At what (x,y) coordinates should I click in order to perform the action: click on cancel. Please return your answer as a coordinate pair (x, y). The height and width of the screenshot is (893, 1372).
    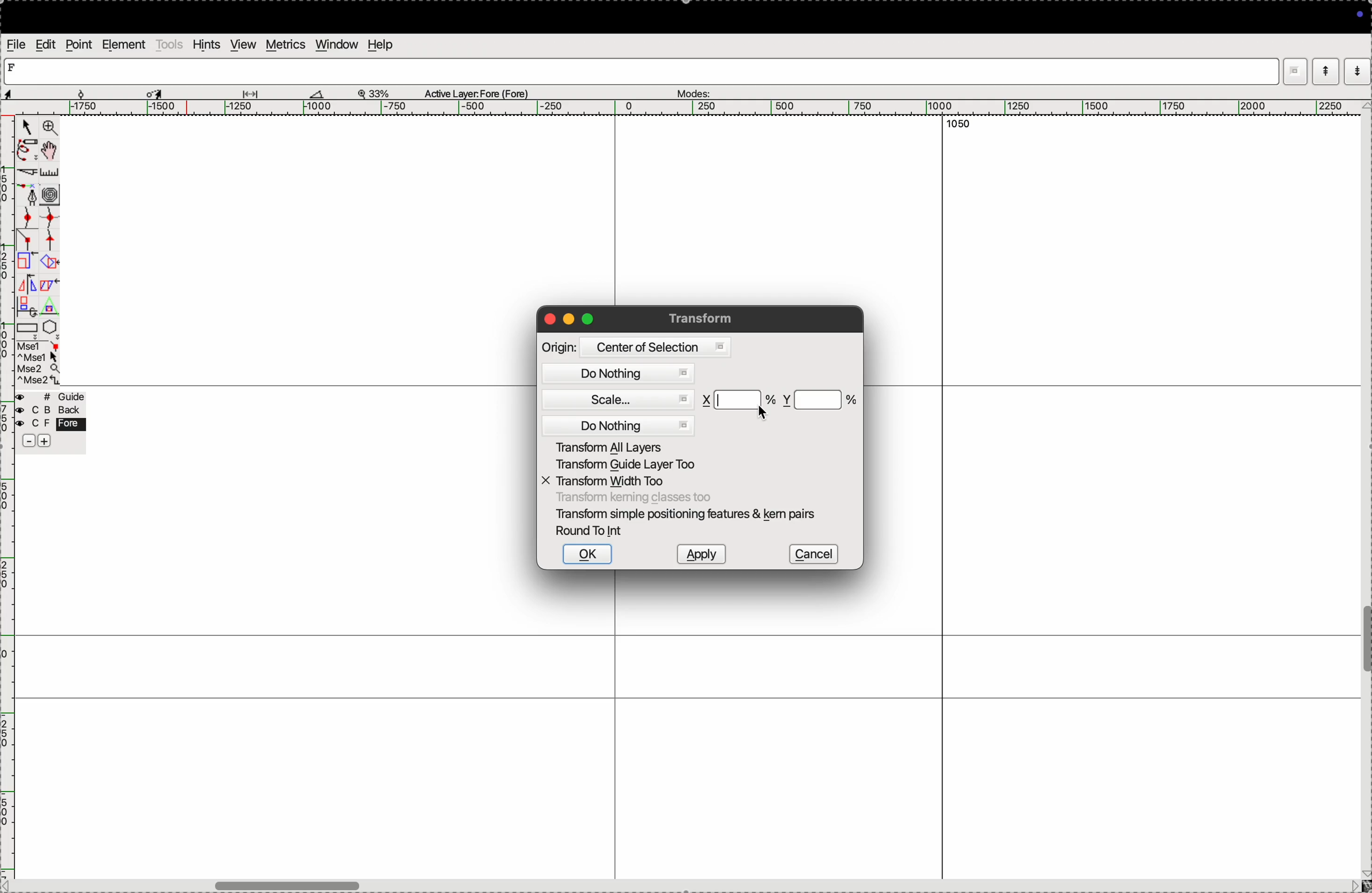
    Looking at the image, I should click on (813, 553).